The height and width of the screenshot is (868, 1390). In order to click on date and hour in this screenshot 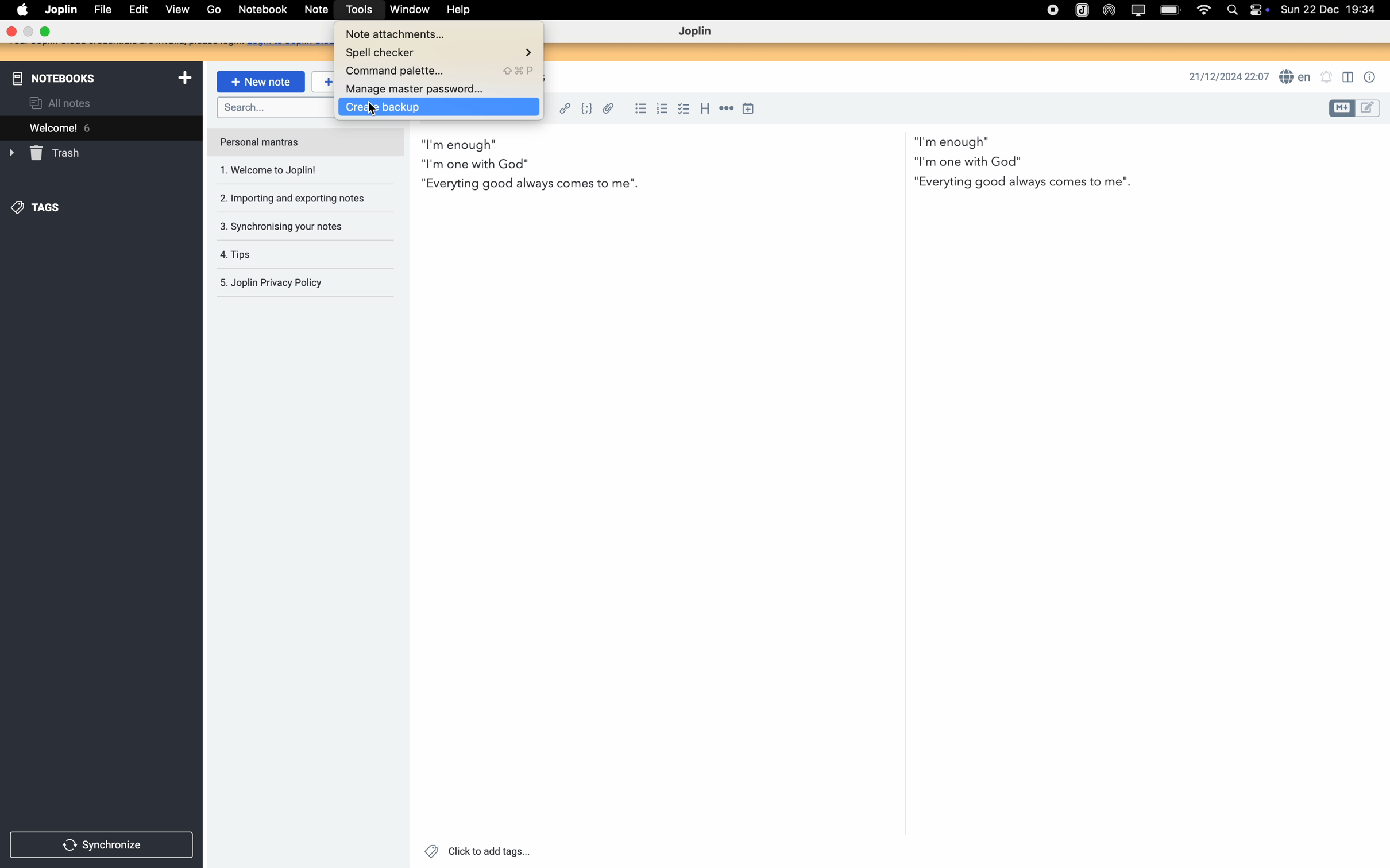, I will do `click(1226, 77)`.